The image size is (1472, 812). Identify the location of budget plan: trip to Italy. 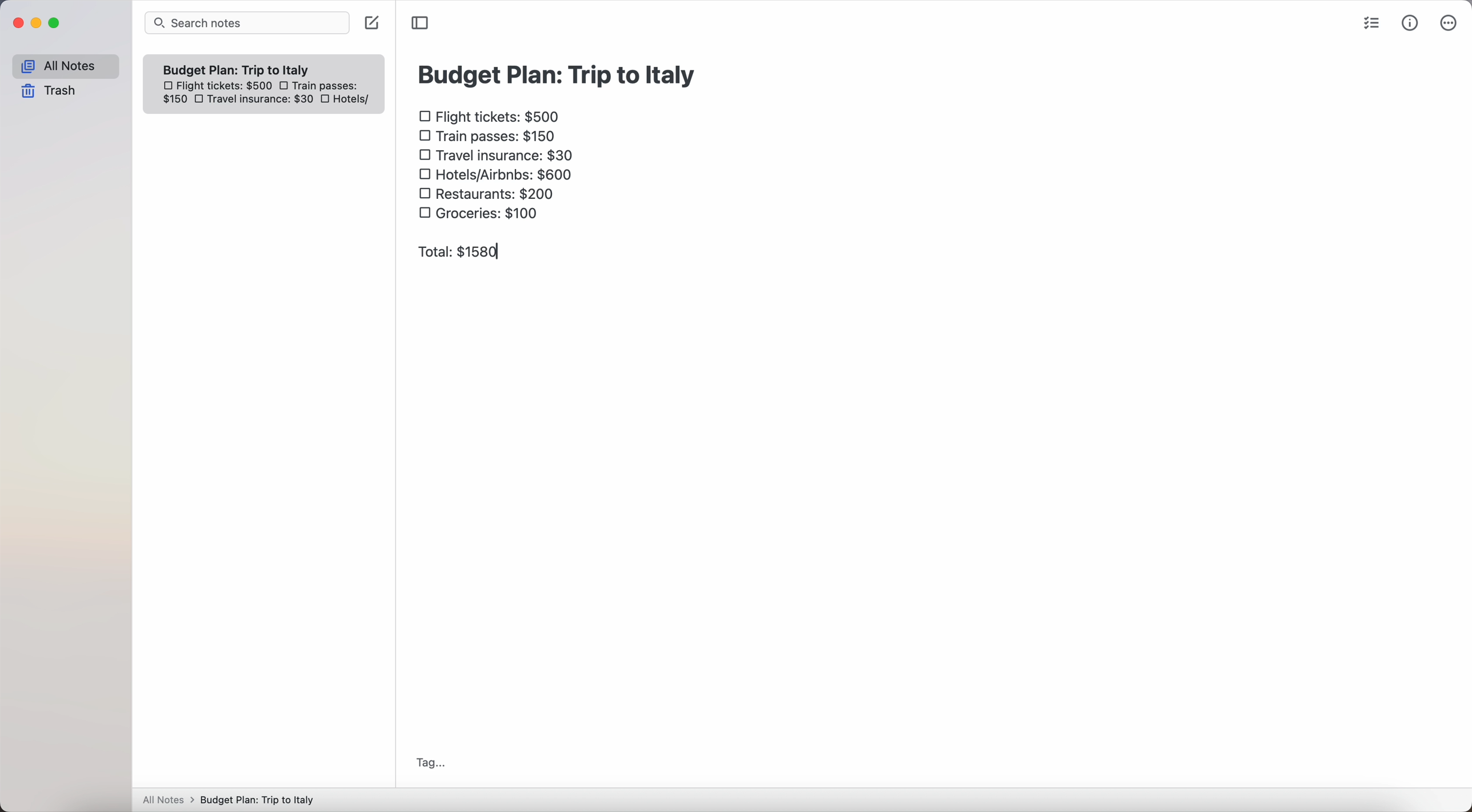
(559, 73).